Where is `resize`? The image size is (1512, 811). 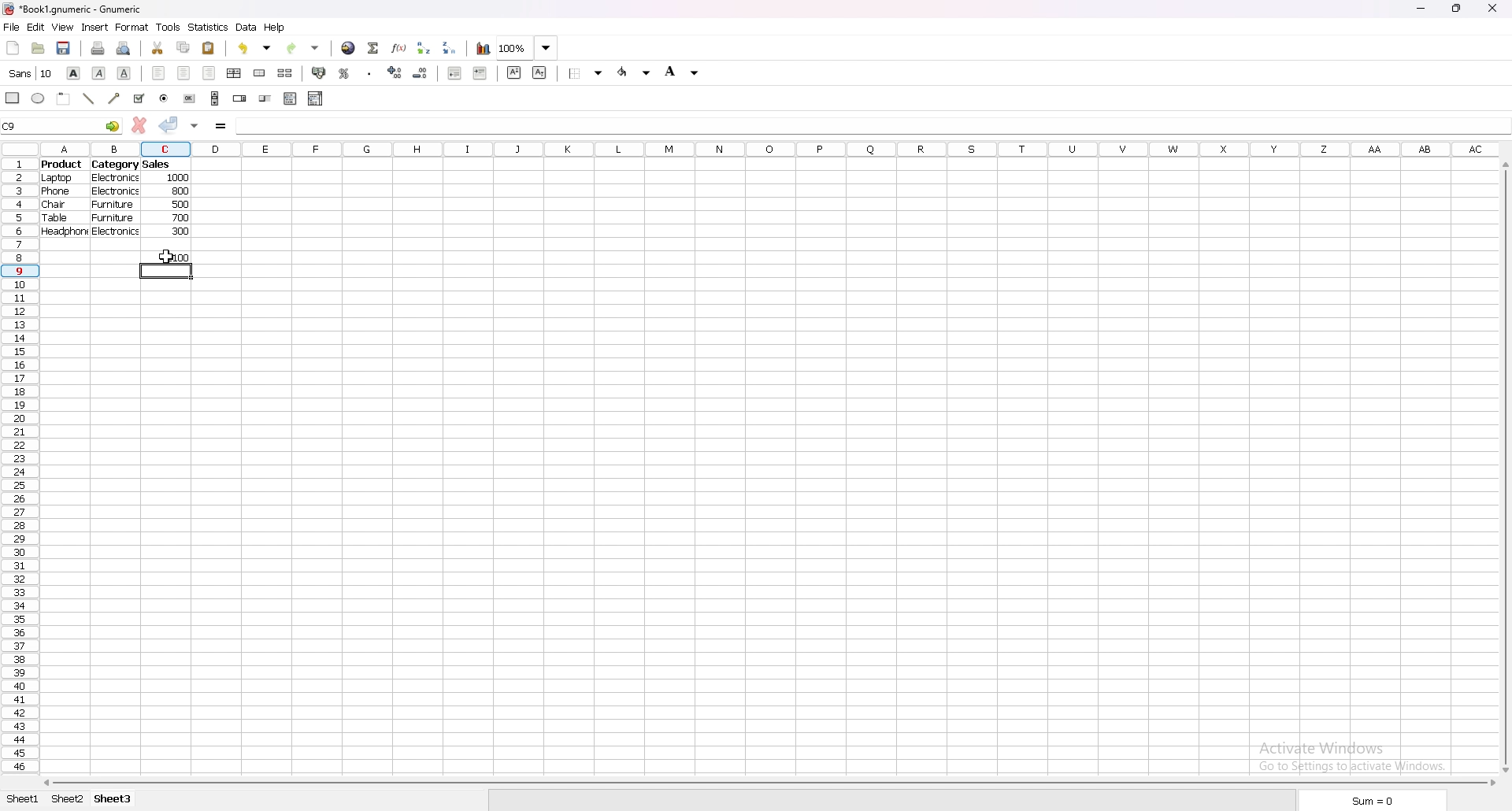
resize is located at coordinates (1456, 9).